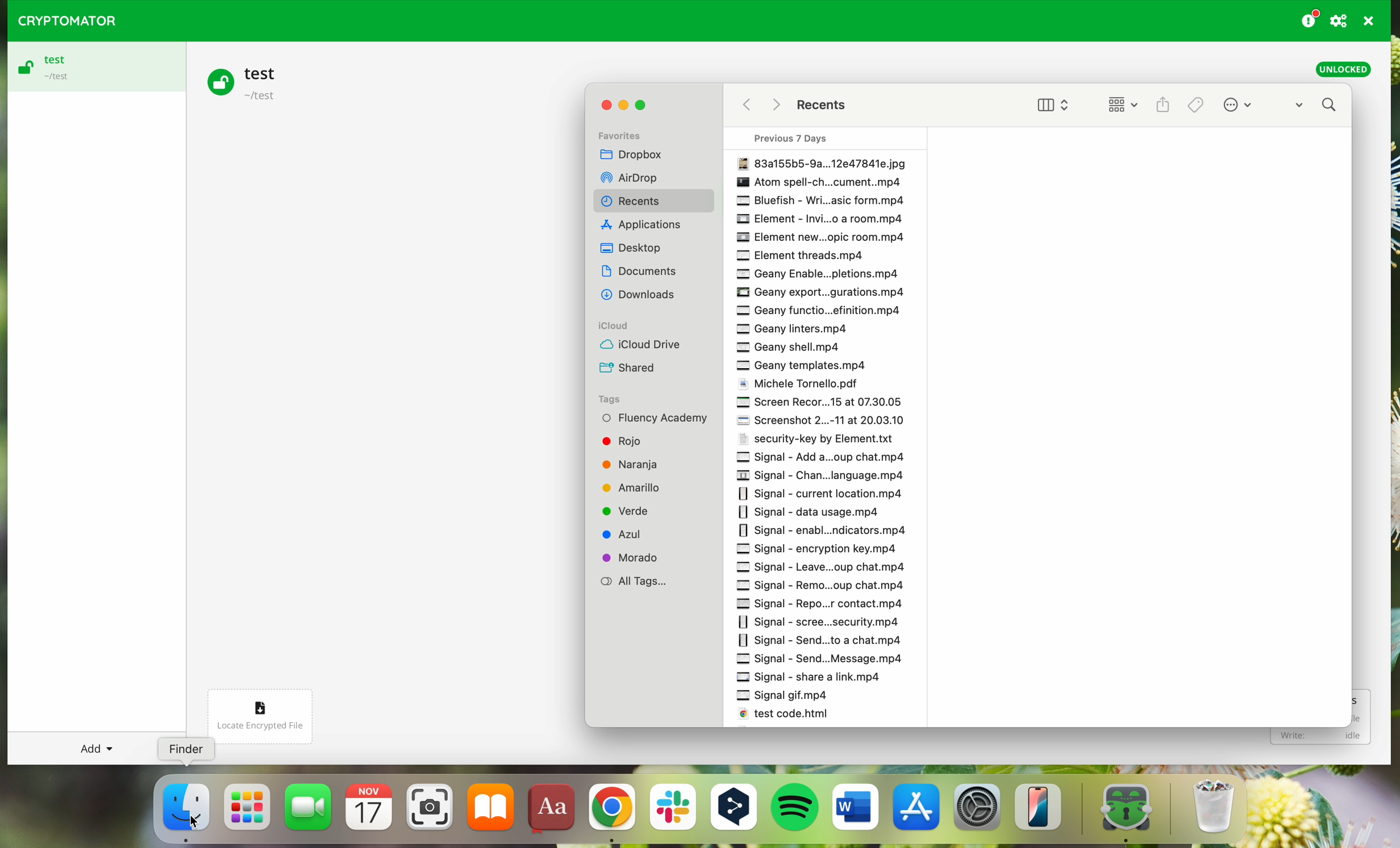 The height and width of the screenshot is (848, 1400). Describe the element at coordinates (814, 511) in the screenshot. I see `signal data usage` at that location.